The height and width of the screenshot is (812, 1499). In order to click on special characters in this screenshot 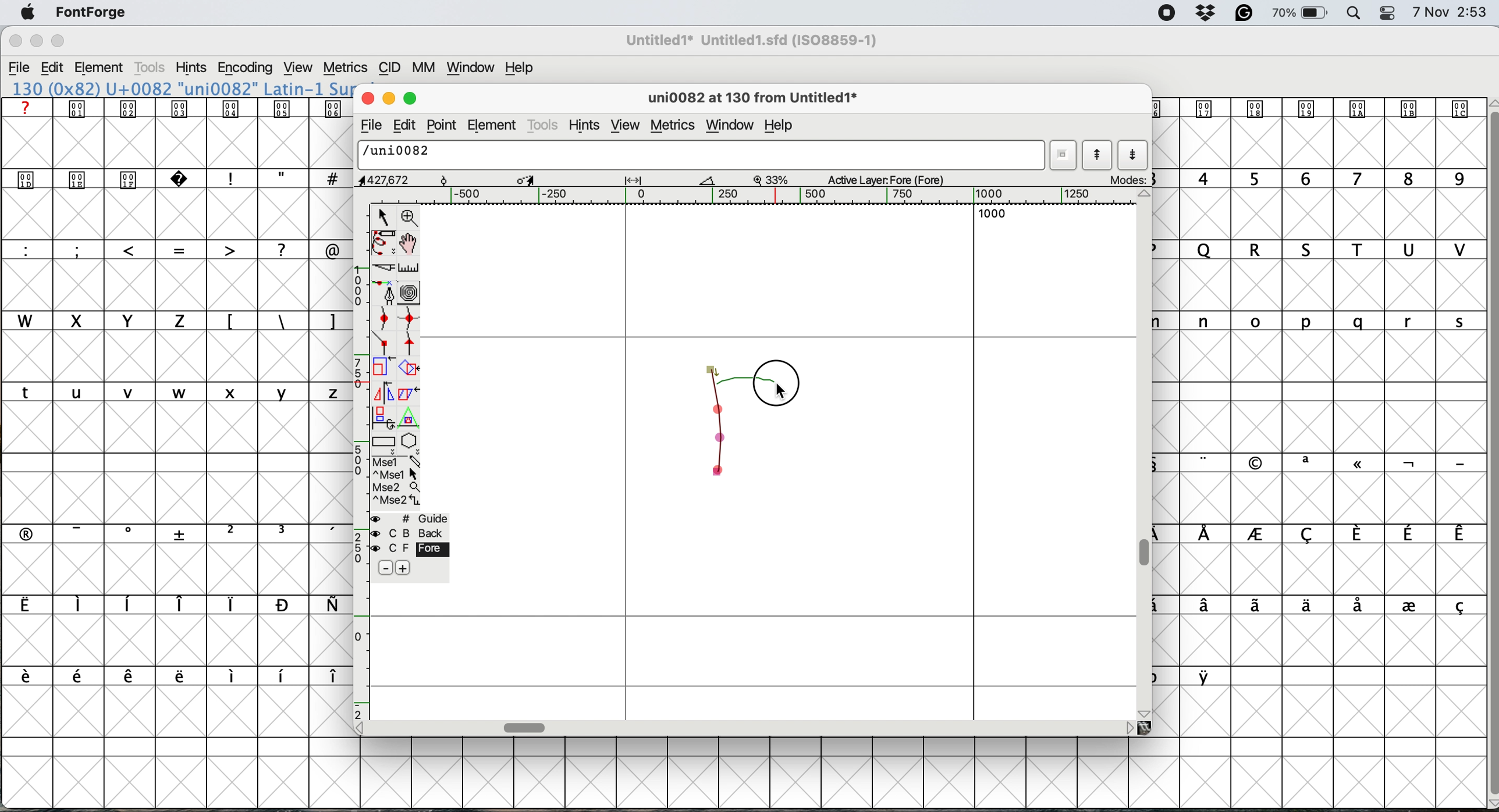, I will do `click(171, 606)`.